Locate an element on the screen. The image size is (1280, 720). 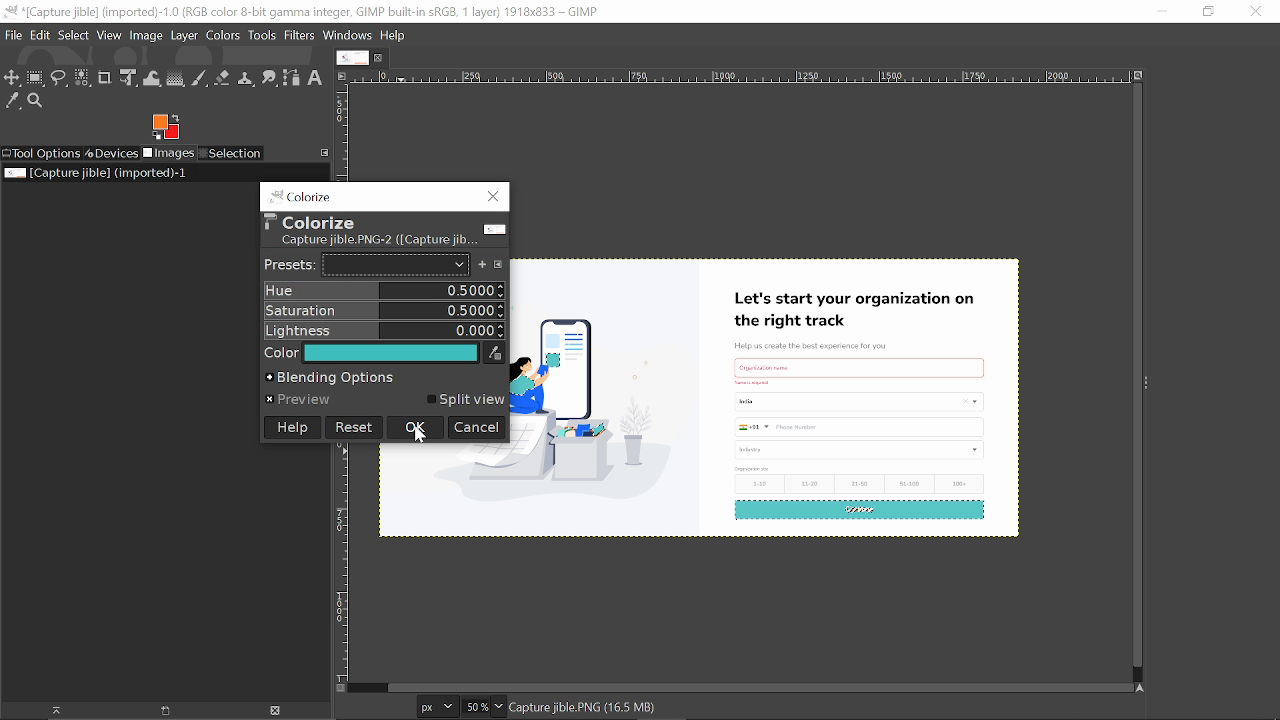
photoshop tool is located at coordinates (376, 229).